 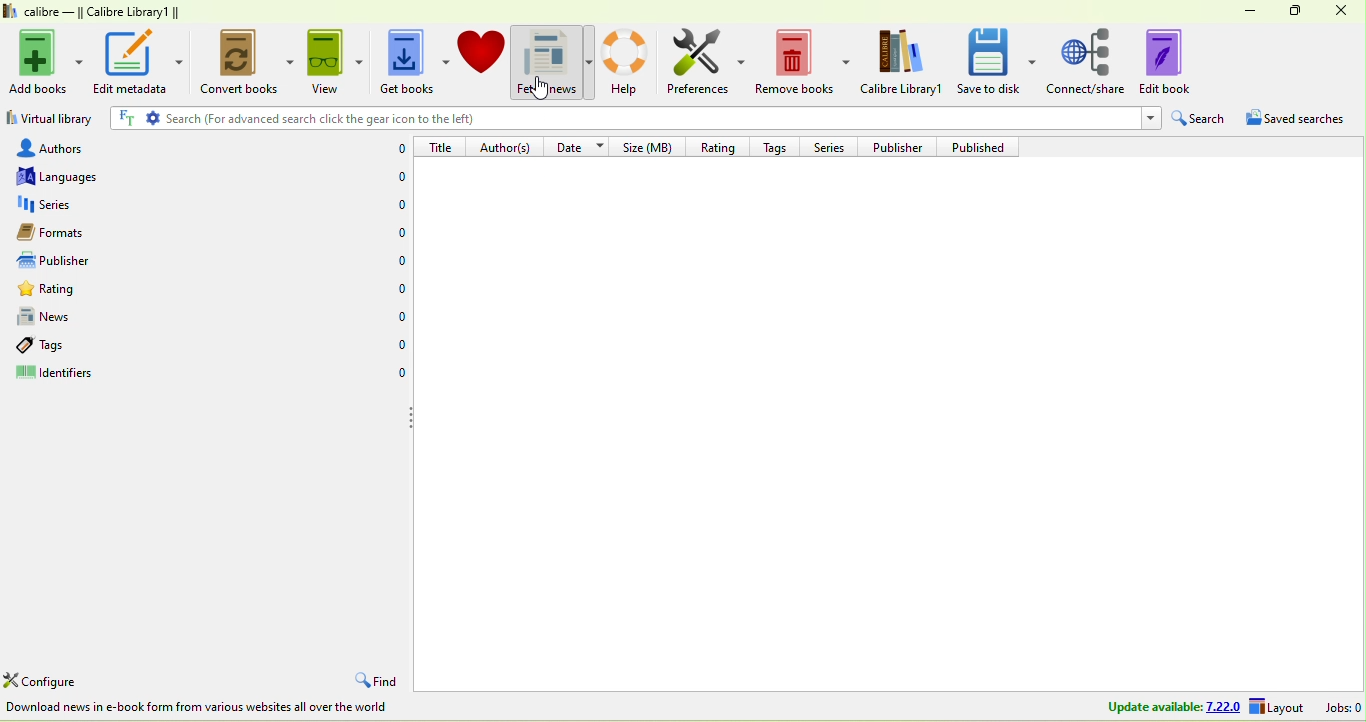 What do you see at coordinates (145, 376) in the screenshot?
I see `identifiers` at bounding box center [145, 376].